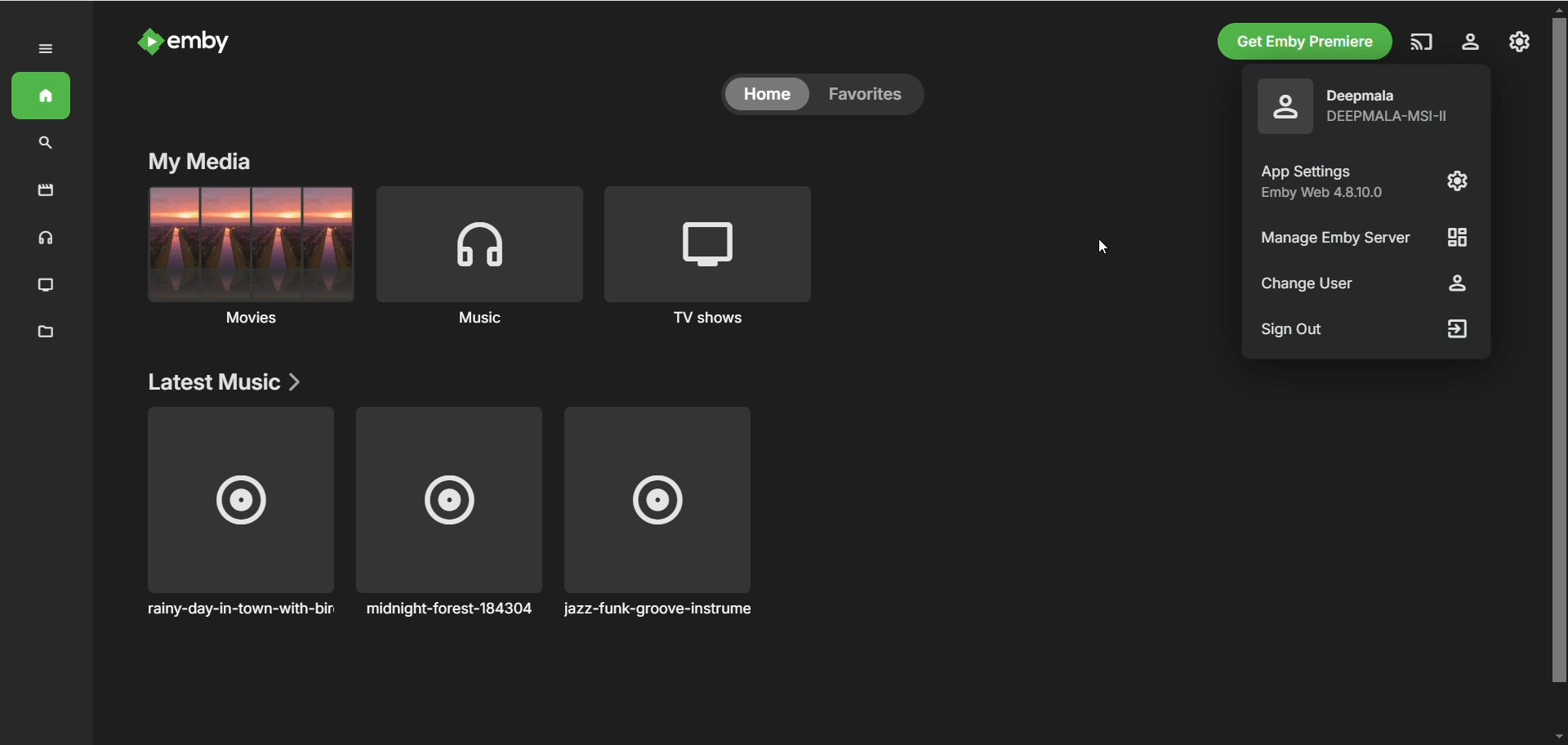 The width and height of the screenshot is (1568, 745). Describe the element at coordinates (46, 192) in the screenshot. I see `movies` at that location.